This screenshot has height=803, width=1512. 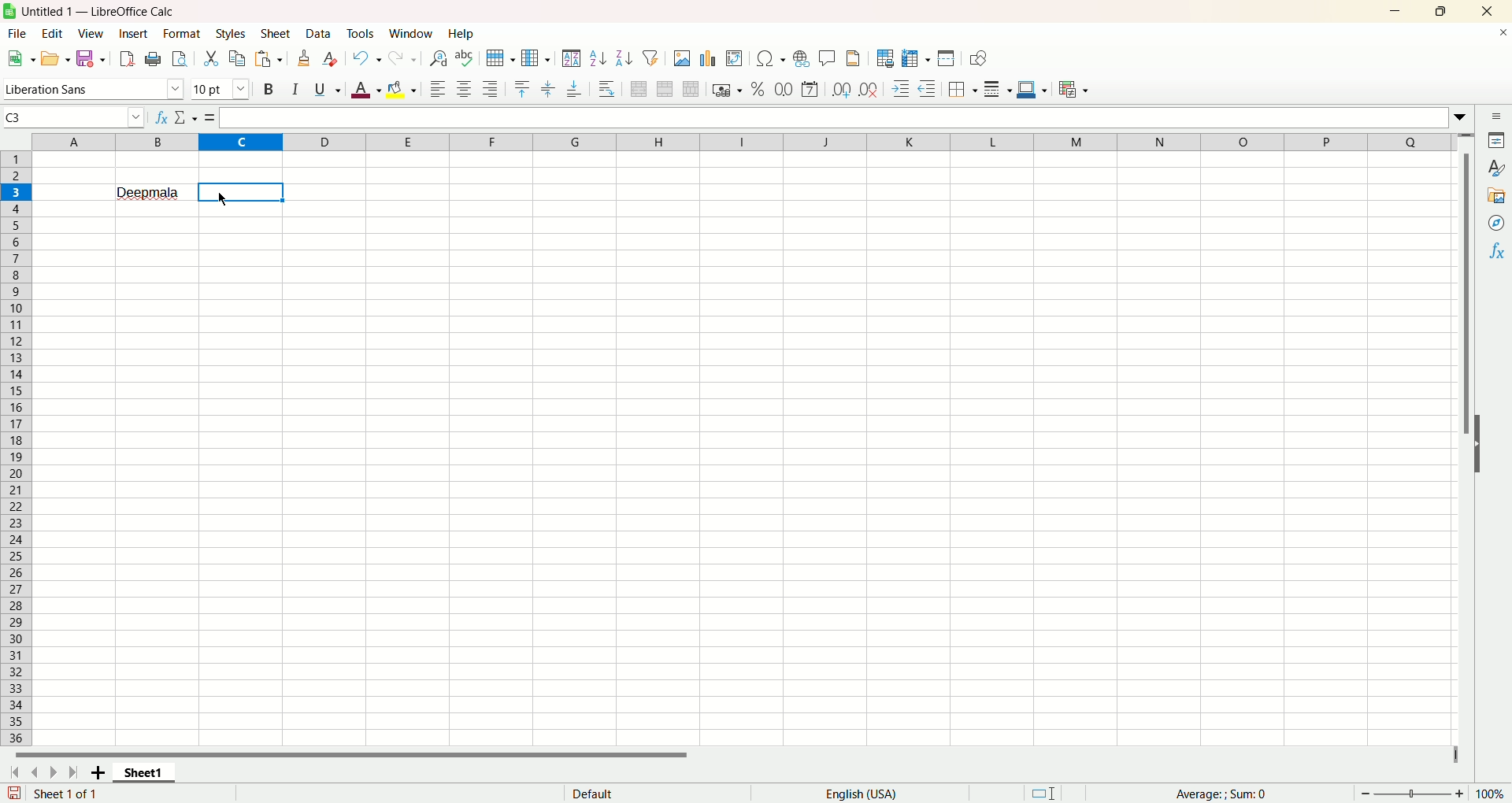 What do you see at coordinates (94, 774) in the screenshot?
I see `new sheet` at bounding box center [94, 774].